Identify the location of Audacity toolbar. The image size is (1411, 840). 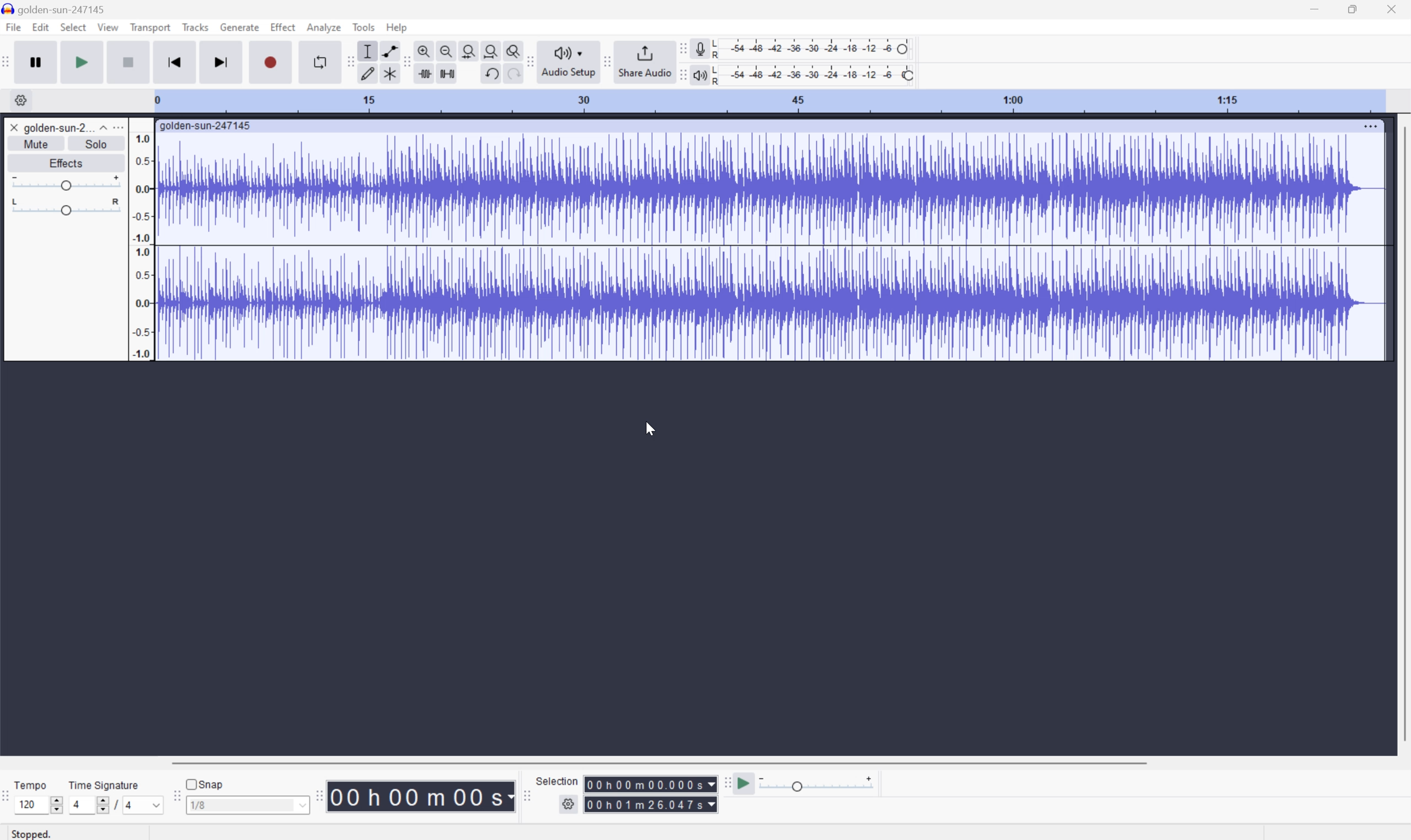
(319, 795).